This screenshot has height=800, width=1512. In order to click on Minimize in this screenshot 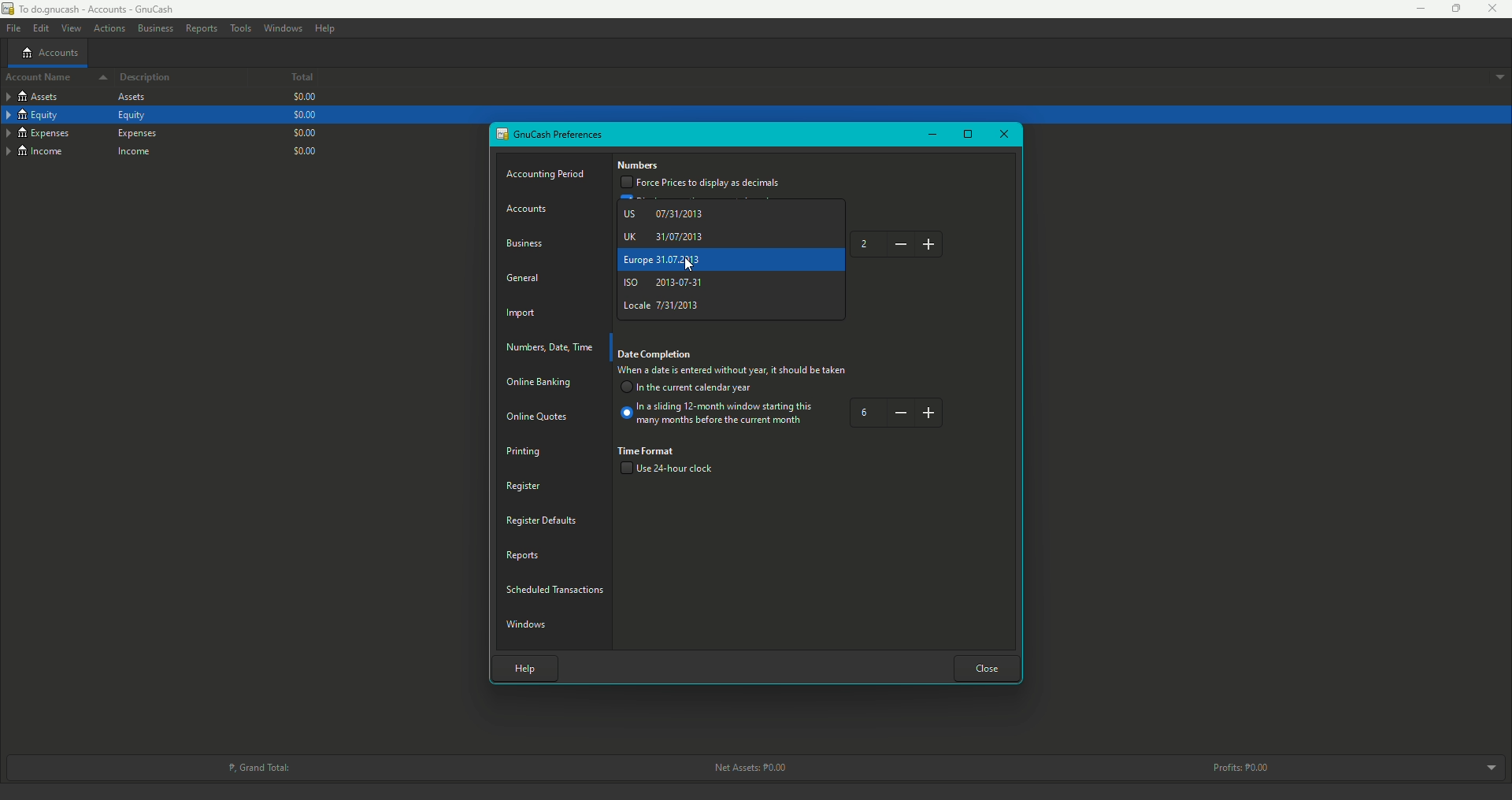, I will do `click(931, 134)`.